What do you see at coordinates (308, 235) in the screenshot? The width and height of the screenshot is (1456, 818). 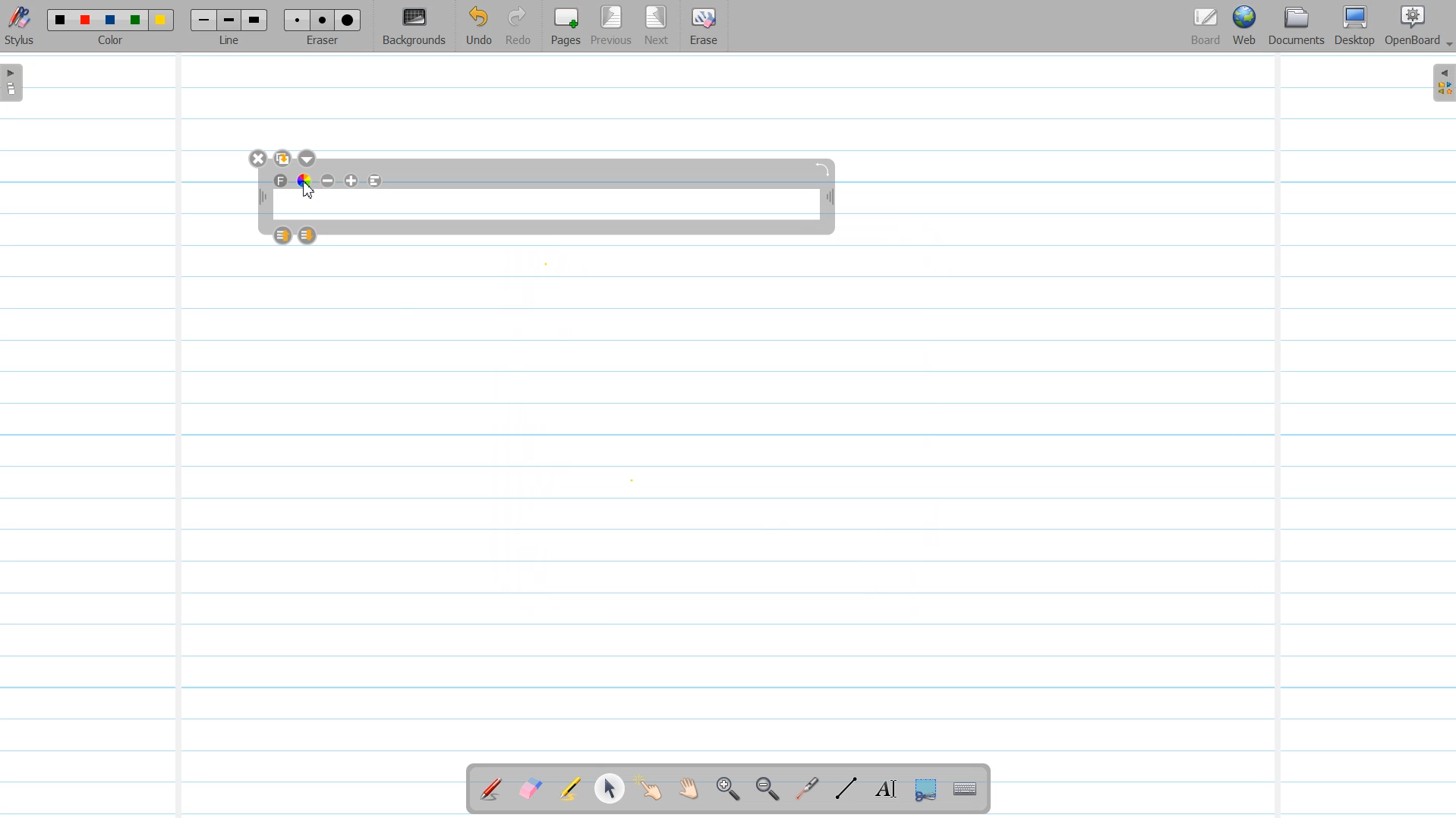 I see `Layer Down` at bounding box center [308, 235].